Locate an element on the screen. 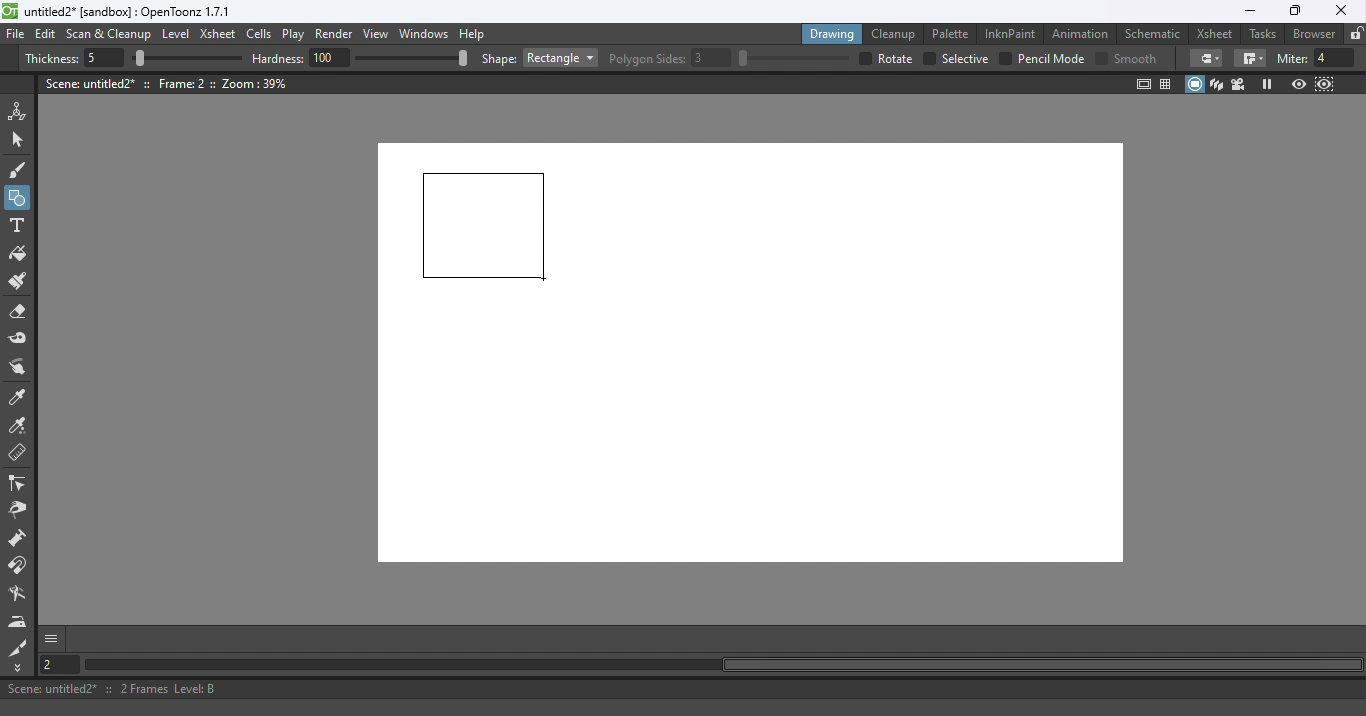  Eraser tool is located at coordinates (23, 312).